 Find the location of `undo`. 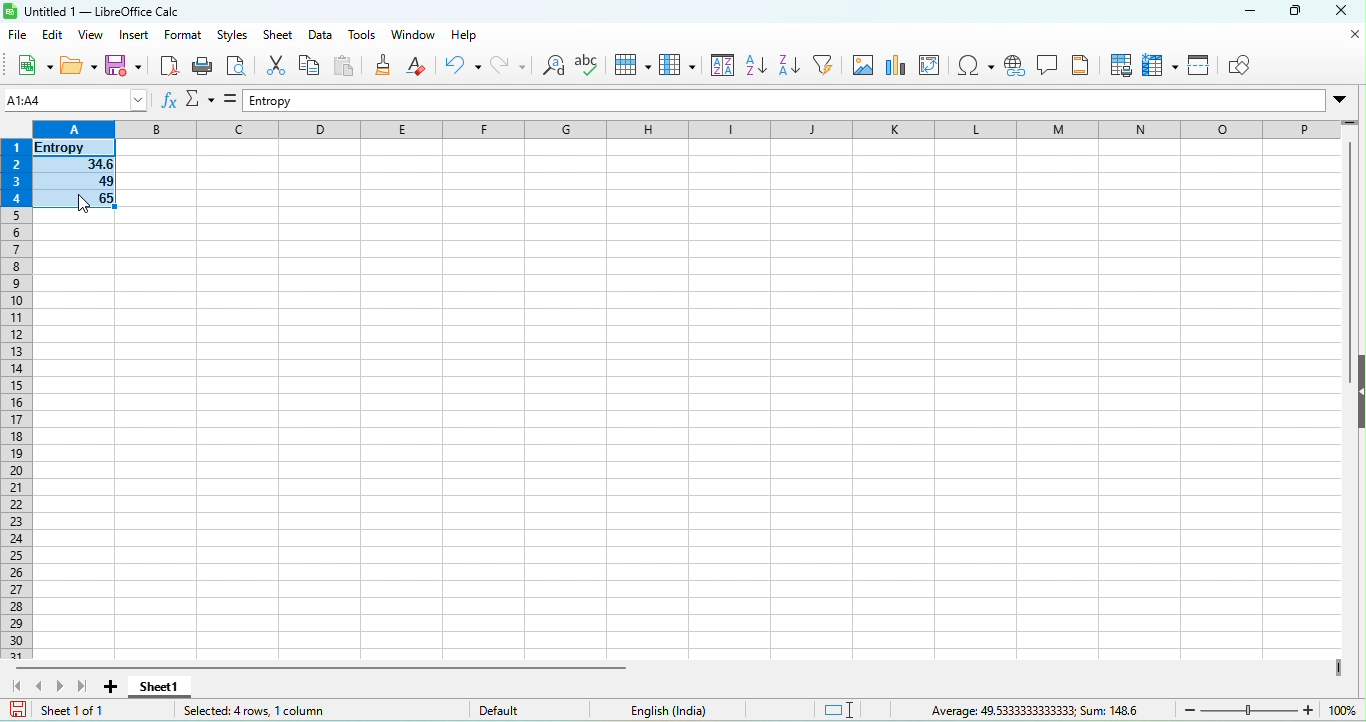

undo is located at coordinates (461, 70).